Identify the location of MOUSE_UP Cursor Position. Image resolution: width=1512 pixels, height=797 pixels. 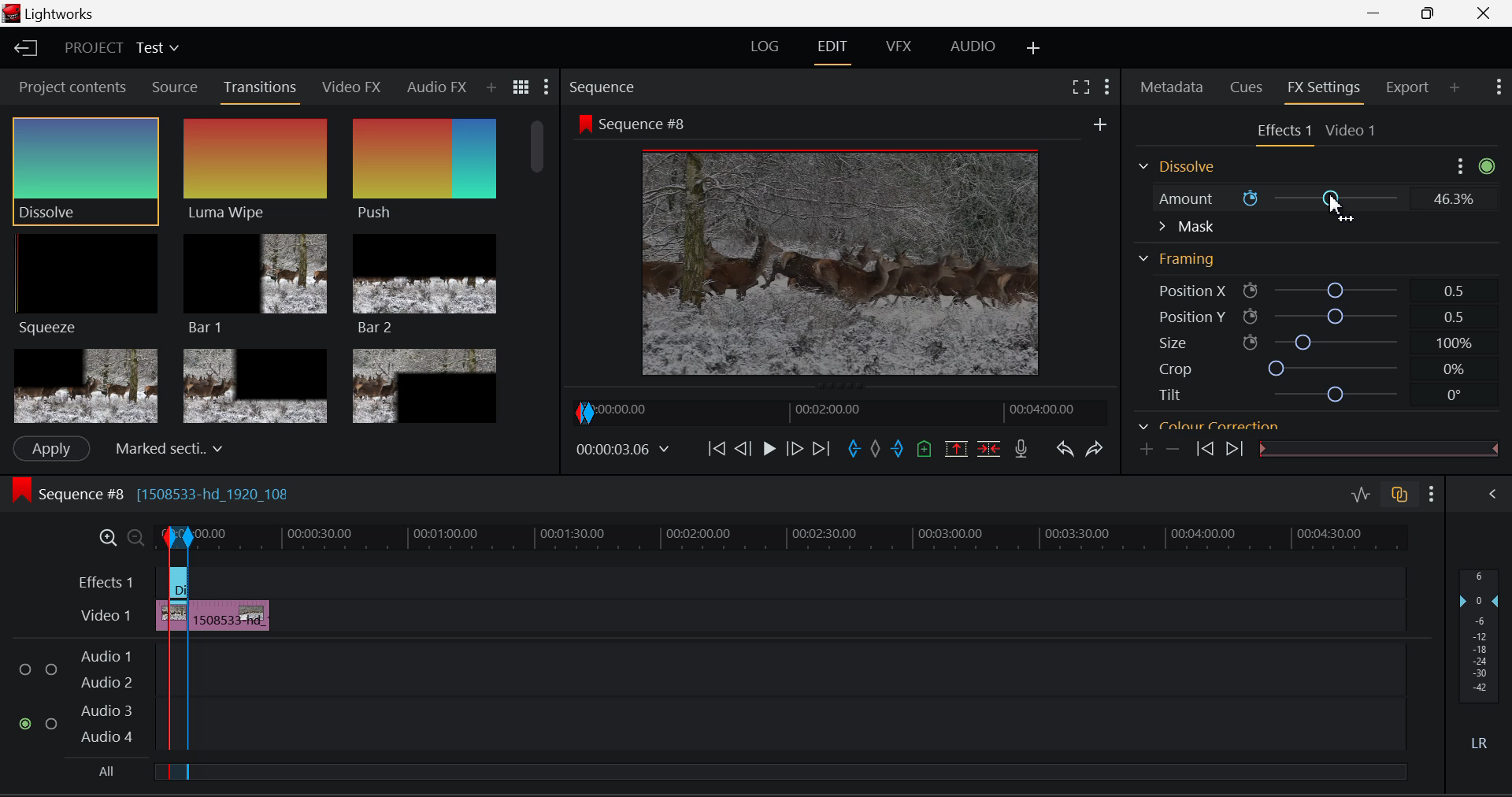
(1338, 209).